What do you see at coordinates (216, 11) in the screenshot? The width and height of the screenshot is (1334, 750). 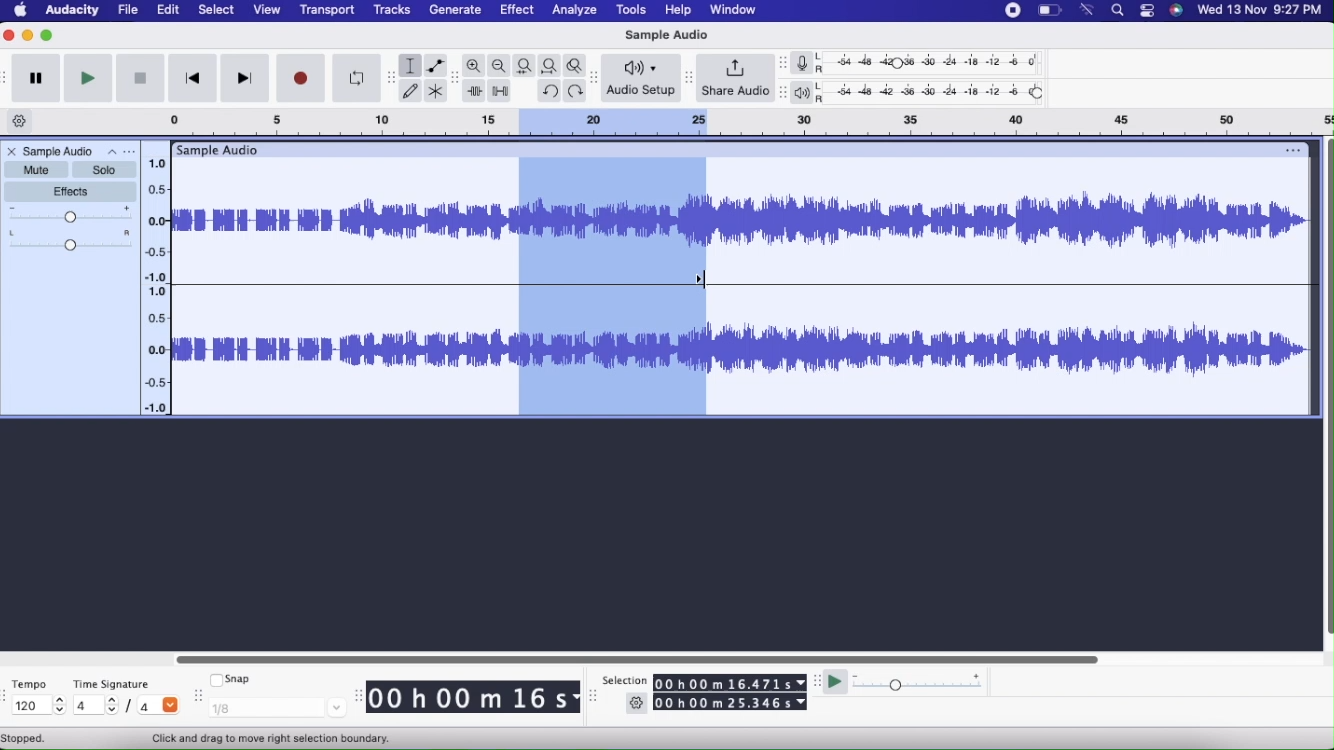 I see `select` at bounding box center [216, 11].